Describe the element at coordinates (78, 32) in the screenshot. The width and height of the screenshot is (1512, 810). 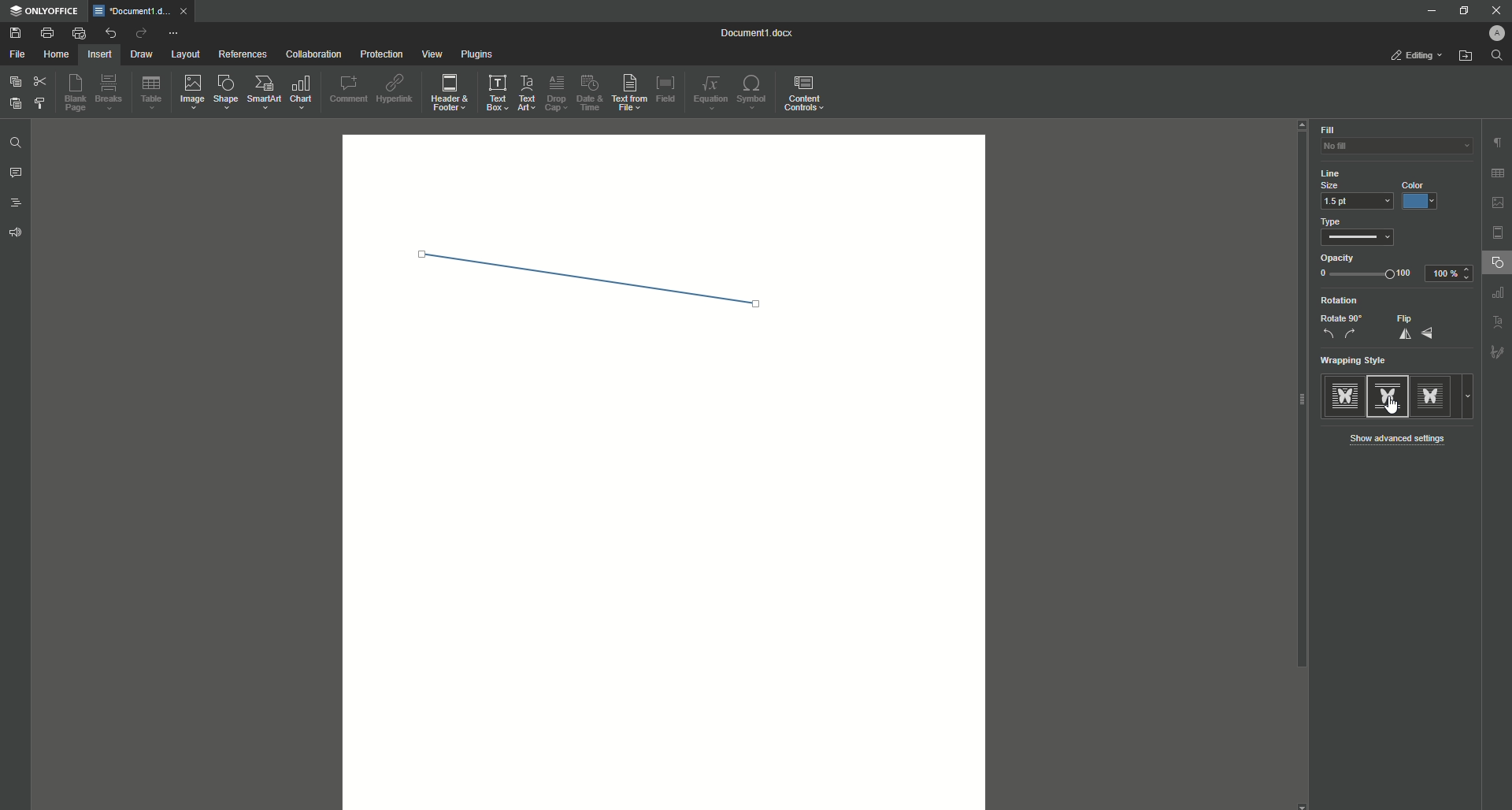
I see `Quick Print` at that location.